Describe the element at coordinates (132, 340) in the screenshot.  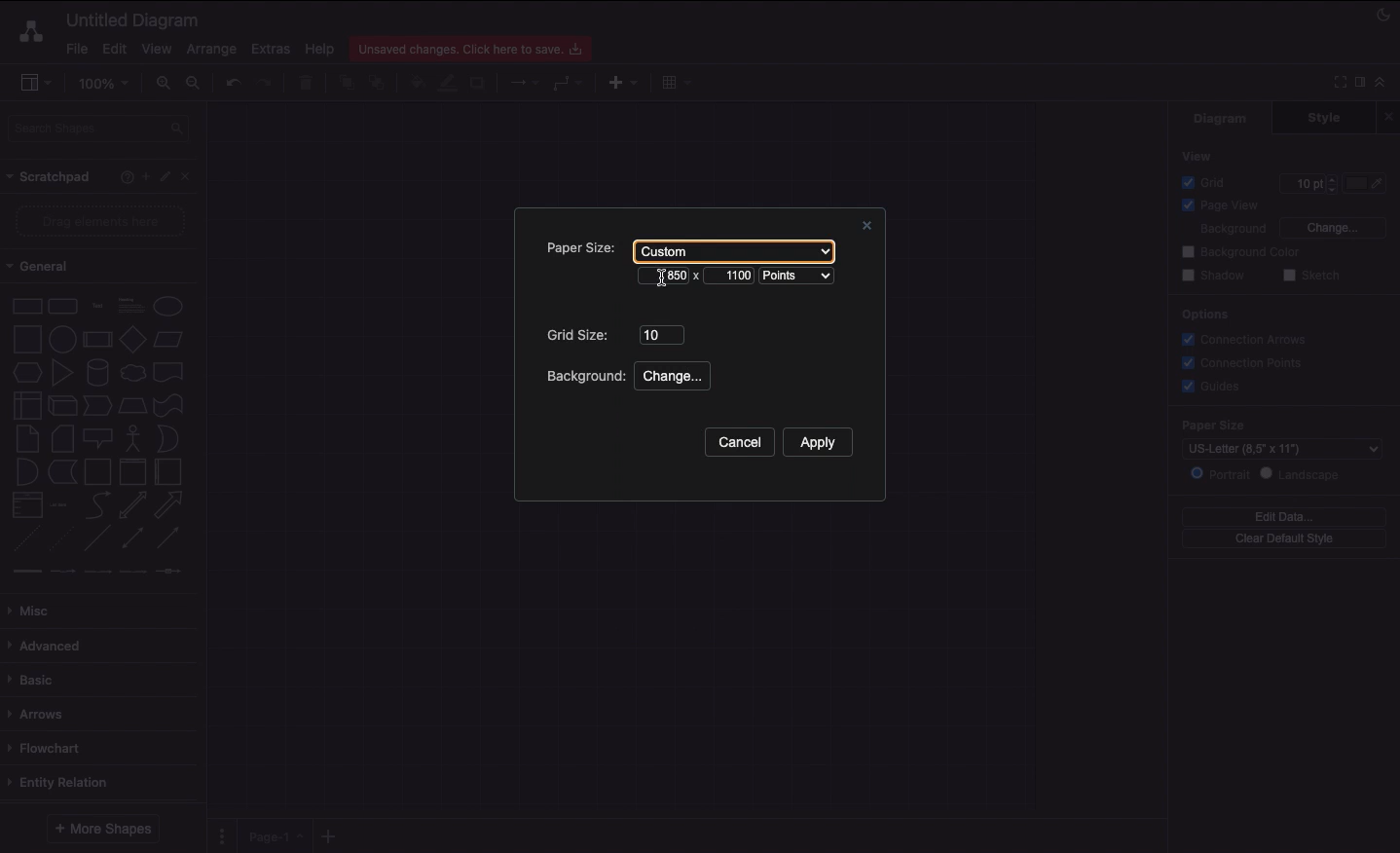
I see `Diamond` at that location.